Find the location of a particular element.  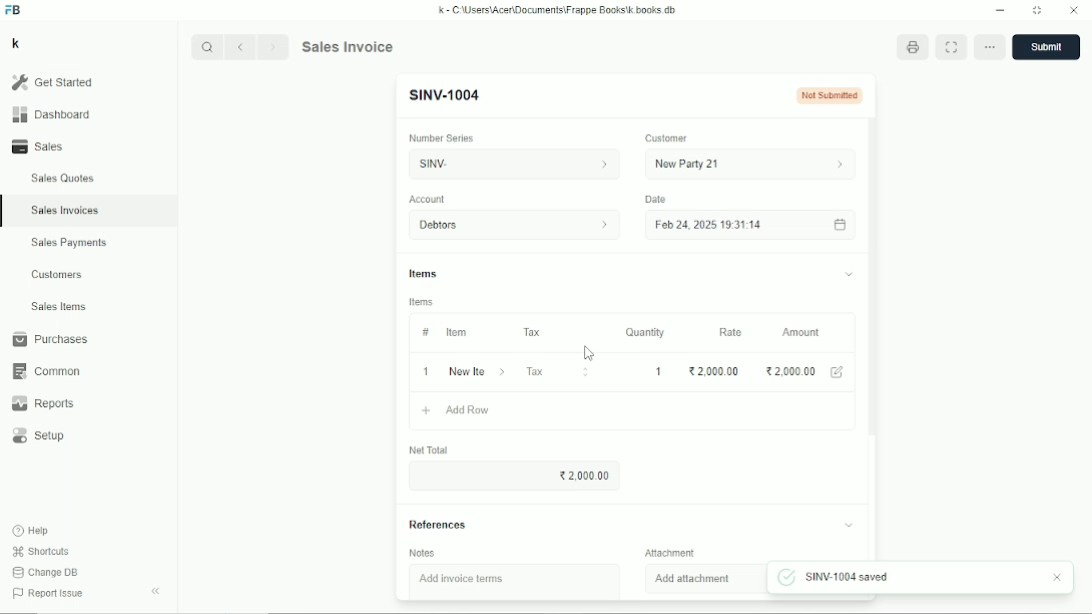

Sales invoice is located at coordinates (347, 46).